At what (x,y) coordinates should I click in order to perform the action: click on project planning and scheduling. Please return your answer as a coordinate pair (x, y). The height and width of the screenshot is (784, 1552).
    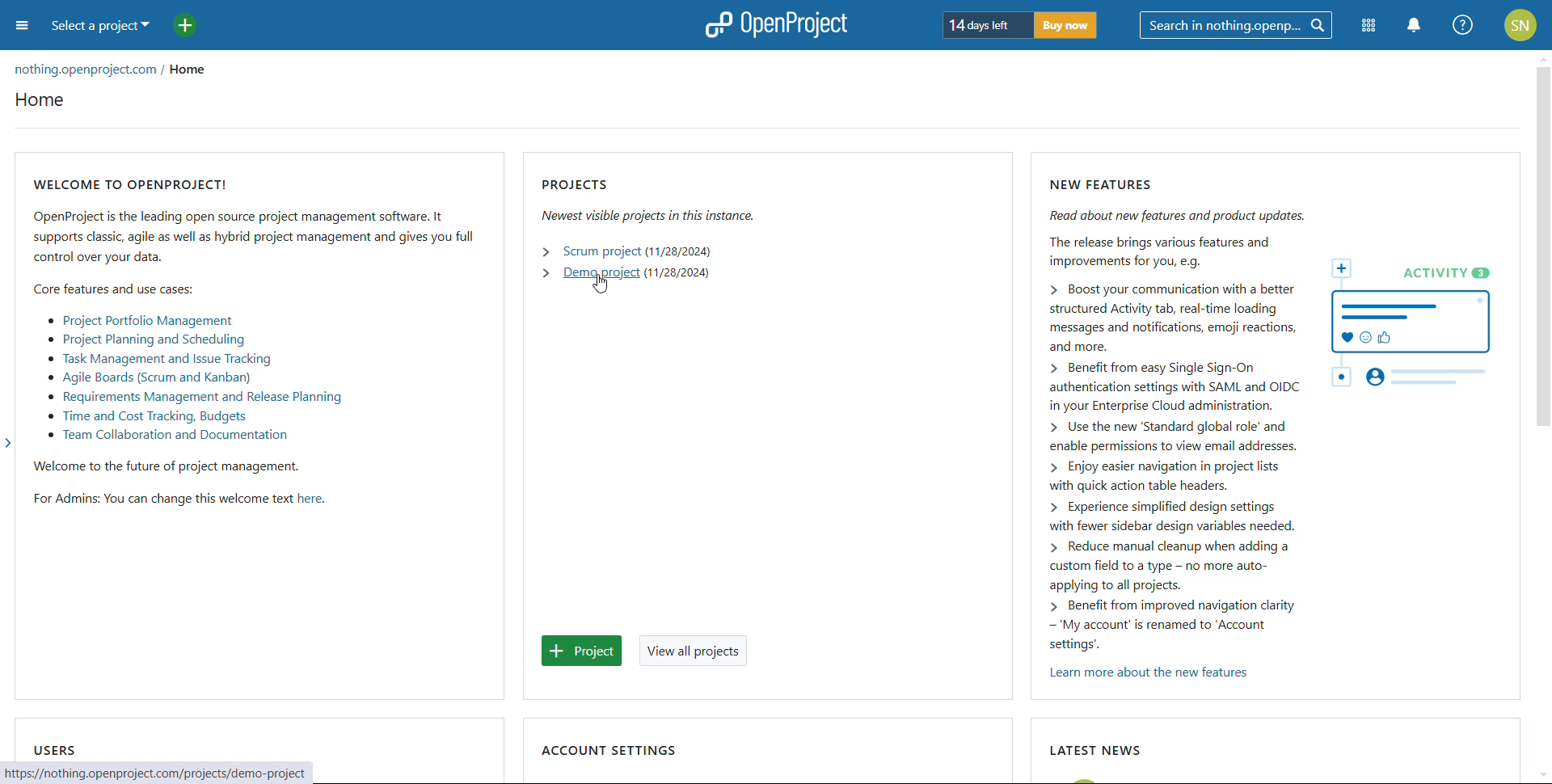
    Looking at the image, I should click on (145, 339).